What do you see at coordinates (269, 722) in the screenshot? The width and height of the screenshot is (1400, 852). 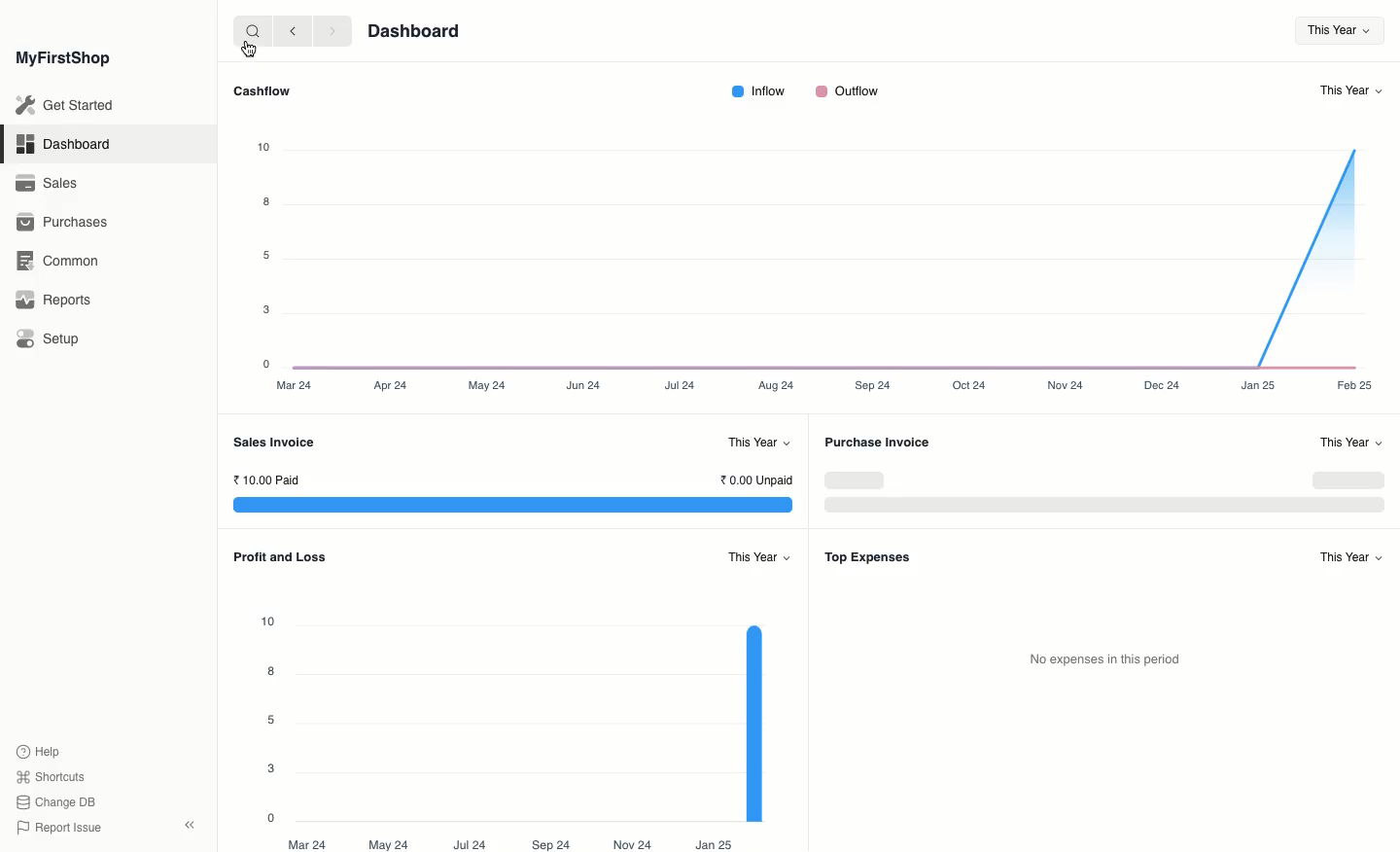 I see `5` at bounding box center [269, 722].